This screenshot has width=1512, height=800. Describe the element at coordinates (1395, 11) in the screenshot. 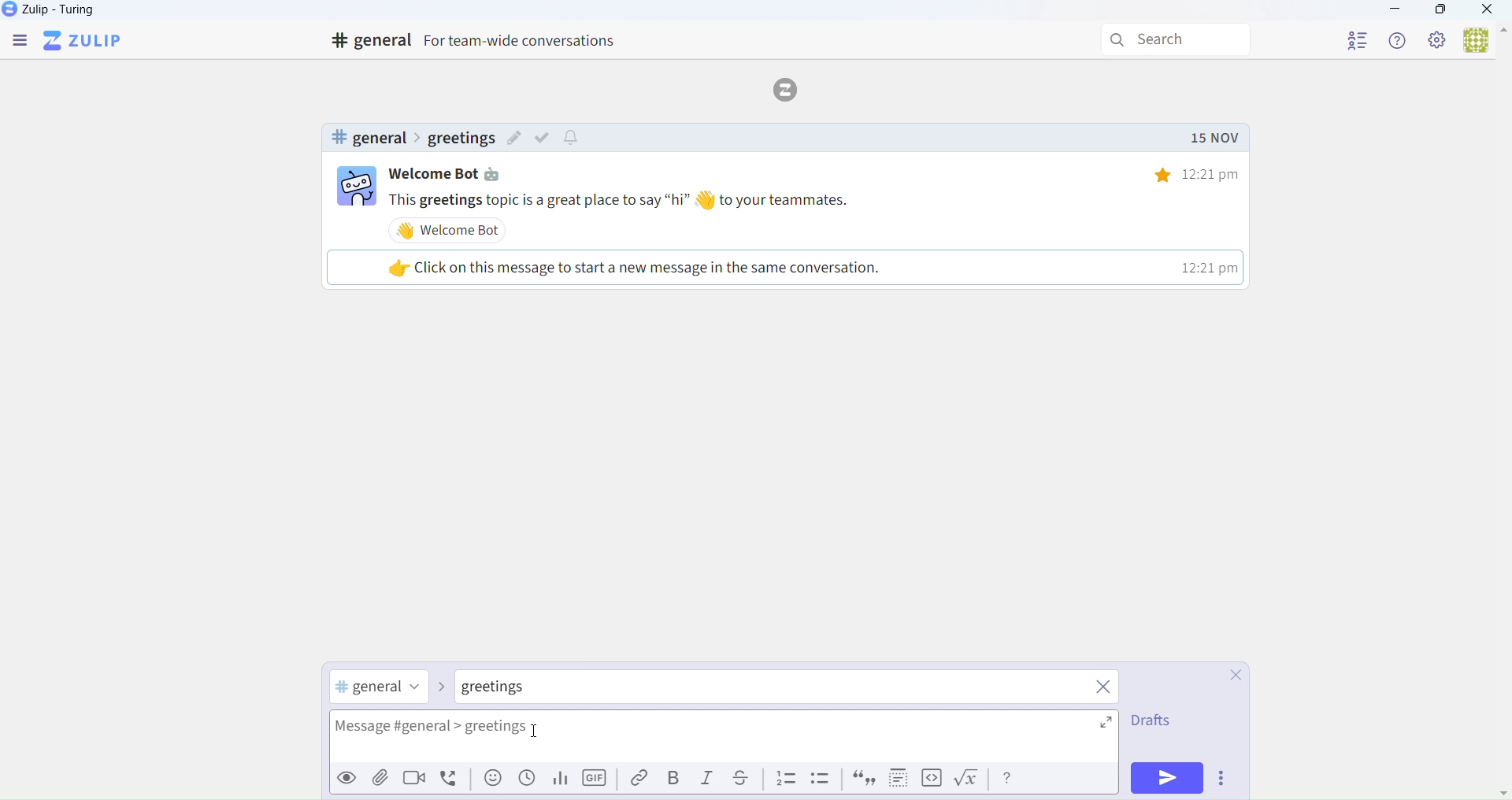

I see `Minimize` at that location.